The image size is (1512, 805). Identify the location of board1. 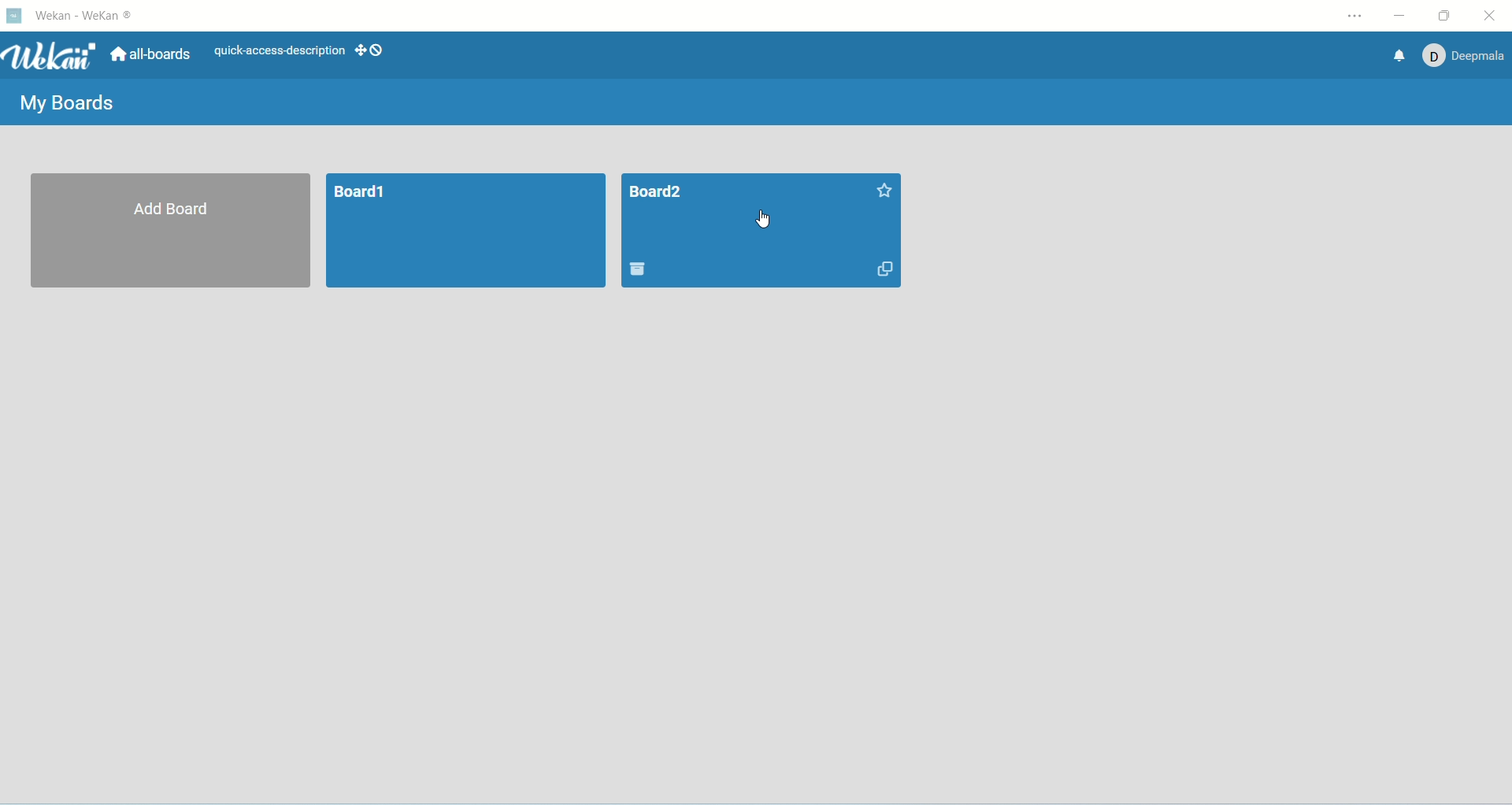
(466, 232).